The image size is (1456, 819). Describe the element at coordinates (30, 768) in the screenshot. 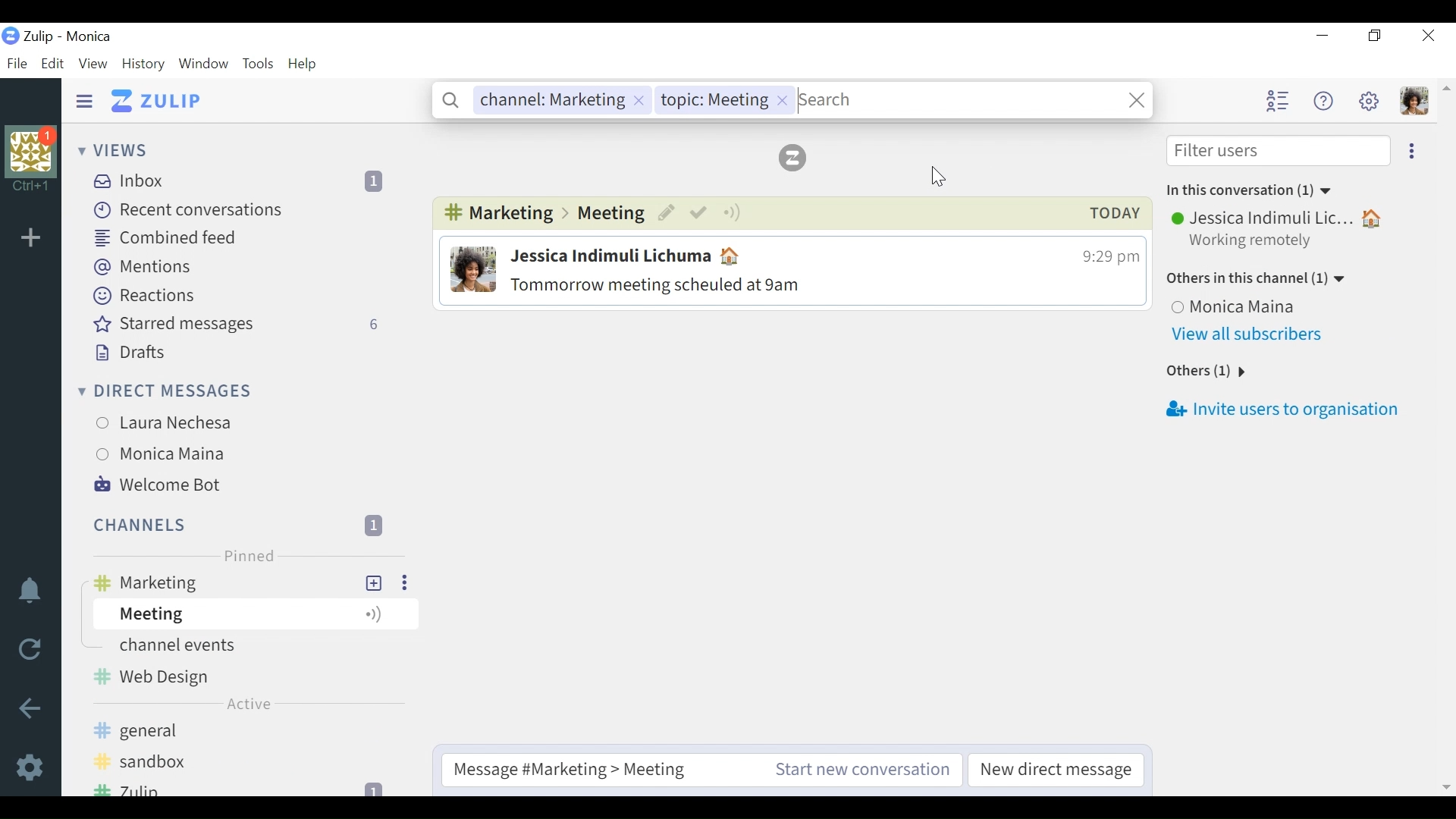

I see `Settings` at that location.